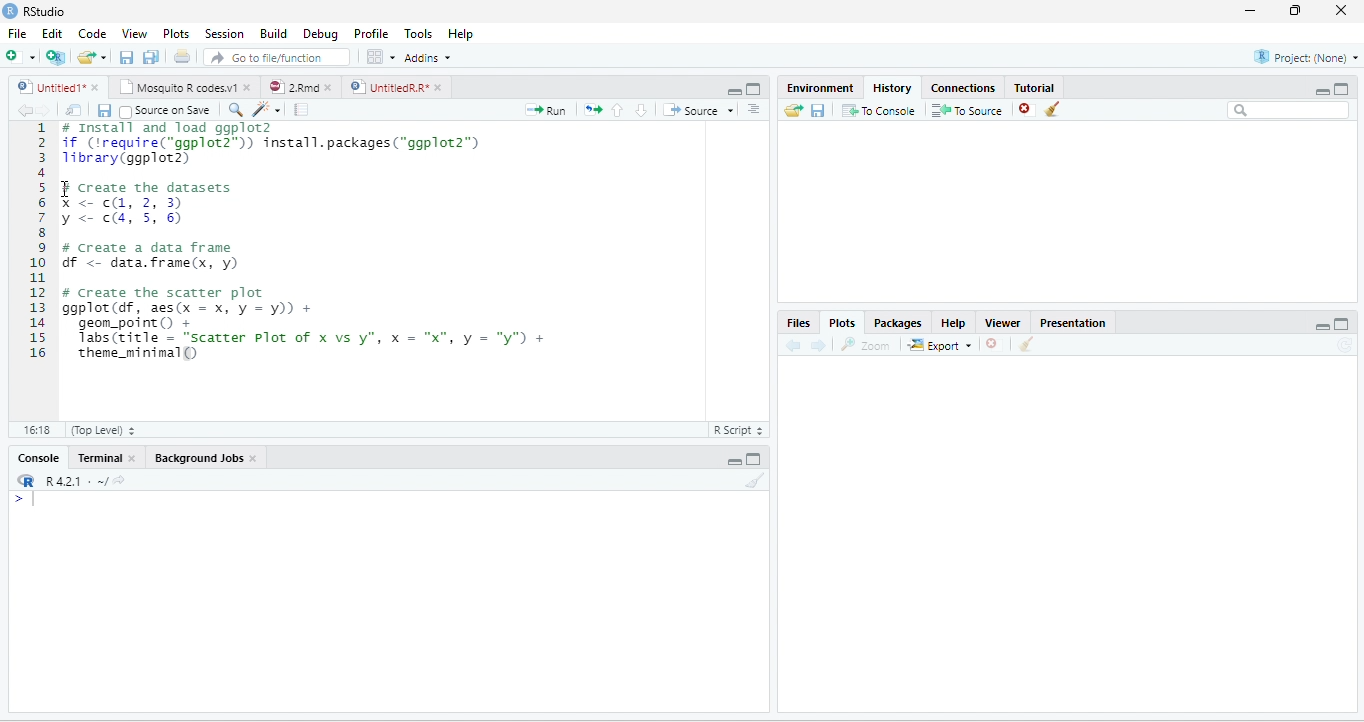 The image size is (1364, 722). Describe the element at coordinates (820, 88) in the screenshot. I see `Environment` at that location.